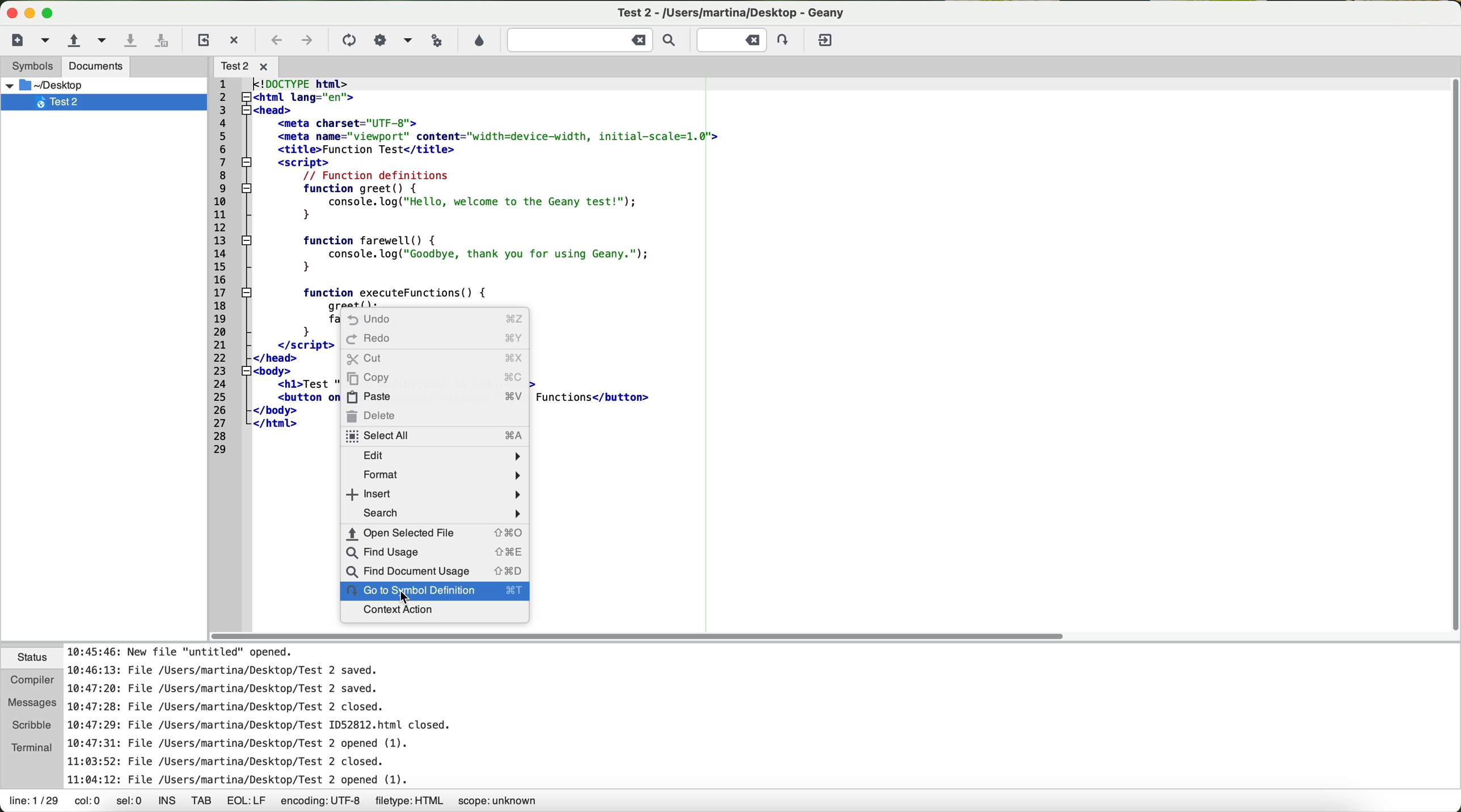 The width and height of the screenshot is (1461, 812). What do you see at coordinates (277, 43) in the screenshot?
I see `navigate back` at bounding box center [277, 43].